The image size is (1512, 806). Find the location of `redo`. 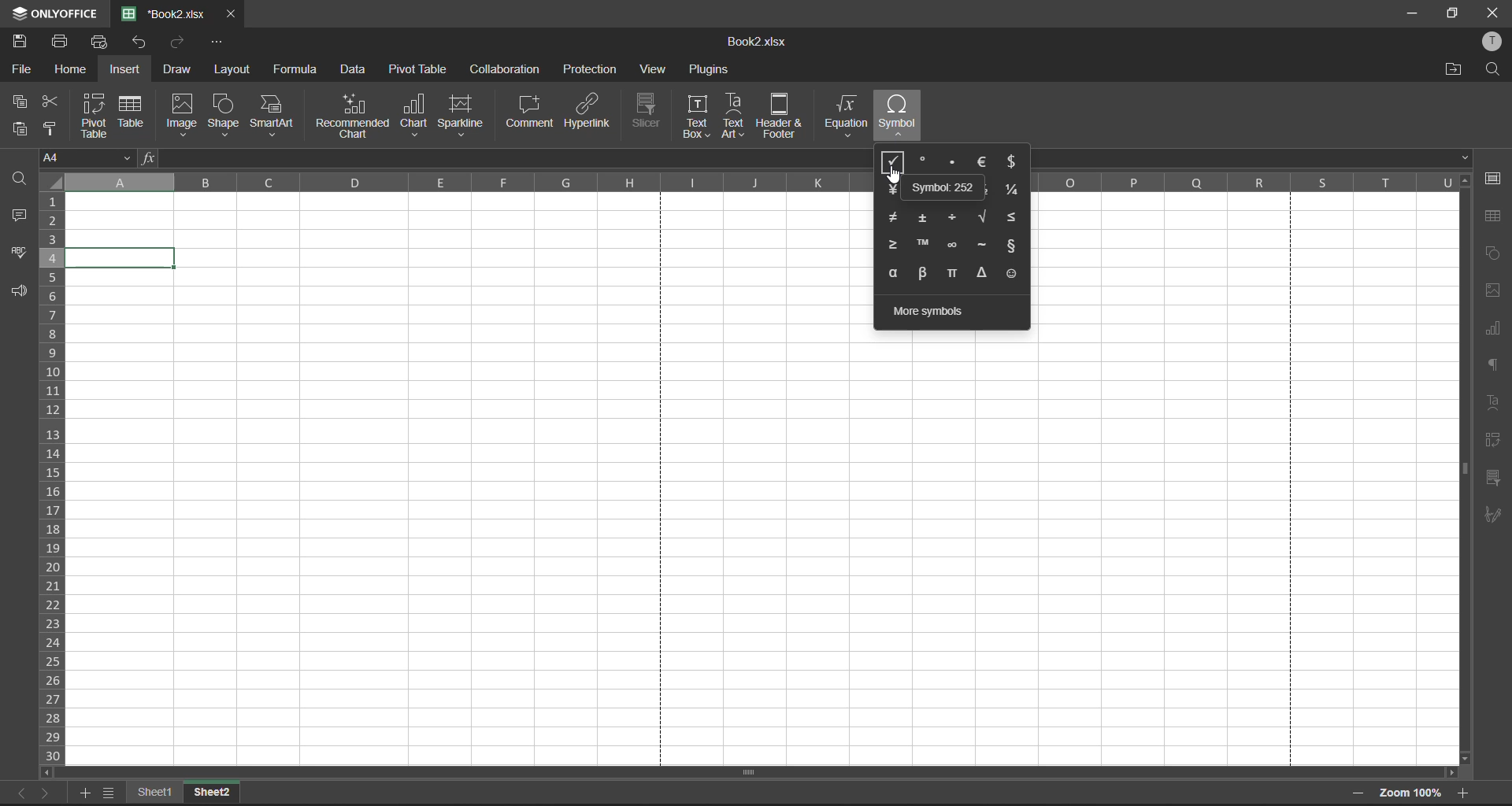

redo is located at coordinates (178, 43).